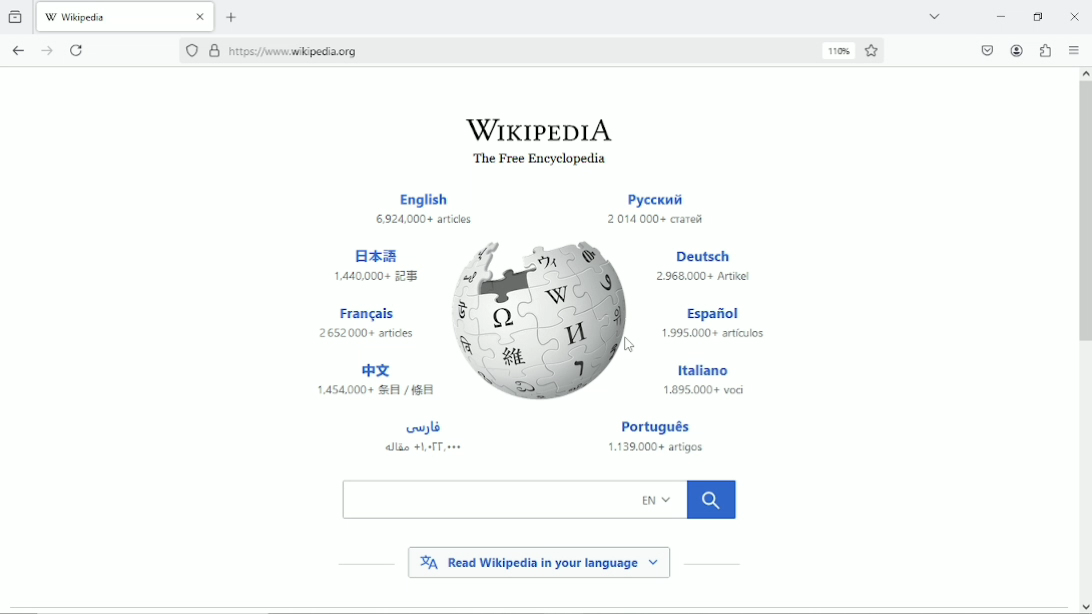 The width and height of the screenshot is (1092, 614). Describe the element at coordinates (543, 319) in the screenshot. I see `wikipedia logo` at that location.